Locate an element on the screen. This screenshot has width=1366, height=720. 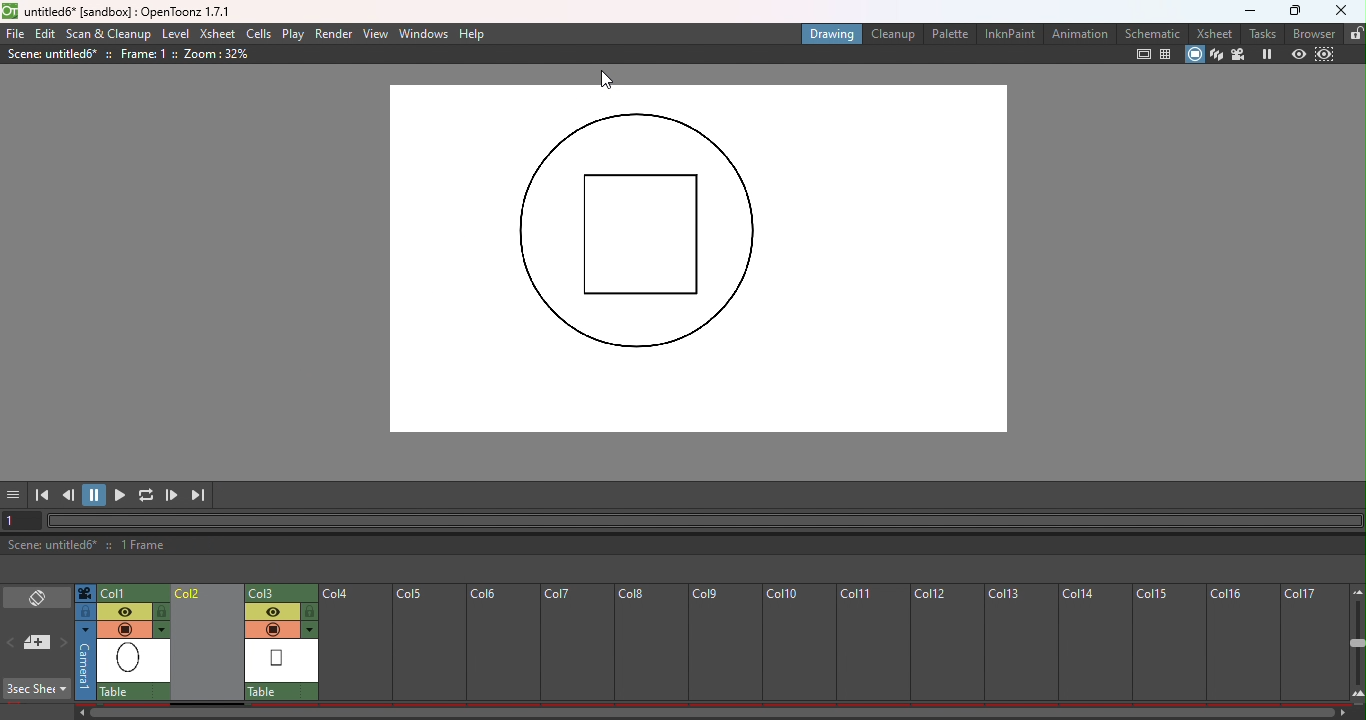
Additional column settings is located at coordinates (163, 630).